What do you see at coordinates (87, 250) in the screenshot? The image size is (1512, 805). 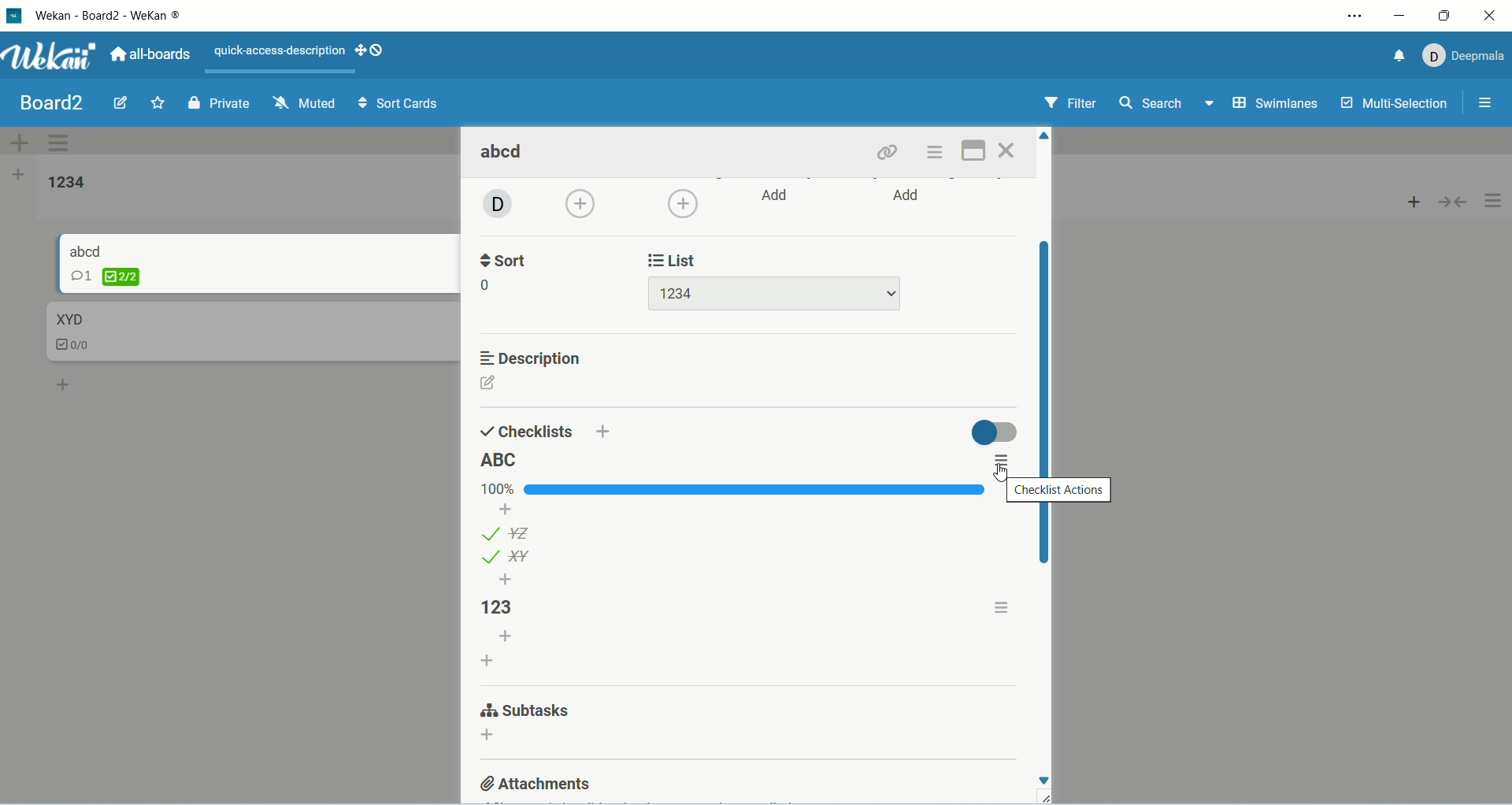 I see `card title` at bounding box center [87, 250].